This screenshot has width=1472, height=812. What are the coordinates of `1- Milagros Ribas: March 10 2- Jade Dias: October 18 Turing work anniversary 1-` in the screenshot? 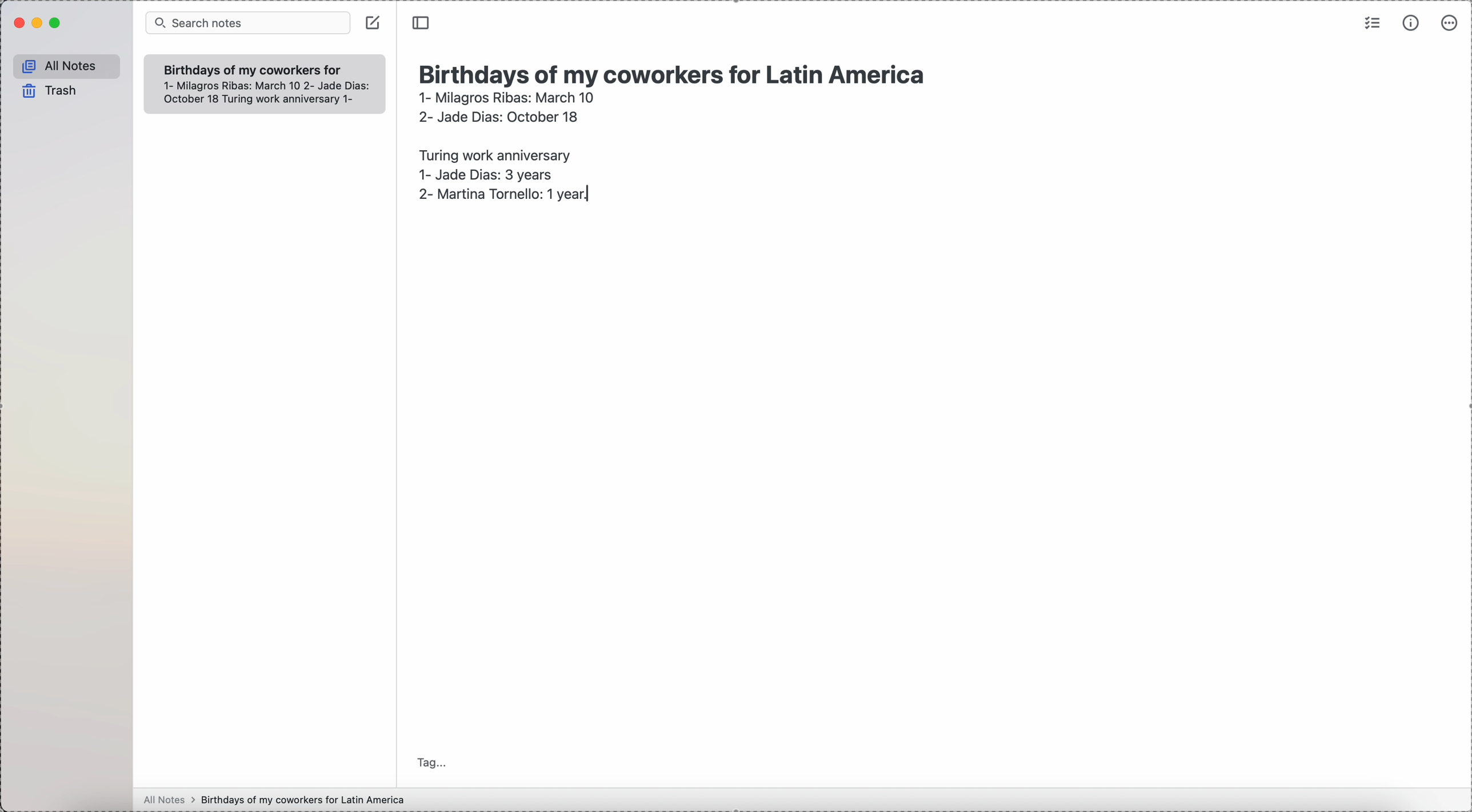 It's located at (259, 93).